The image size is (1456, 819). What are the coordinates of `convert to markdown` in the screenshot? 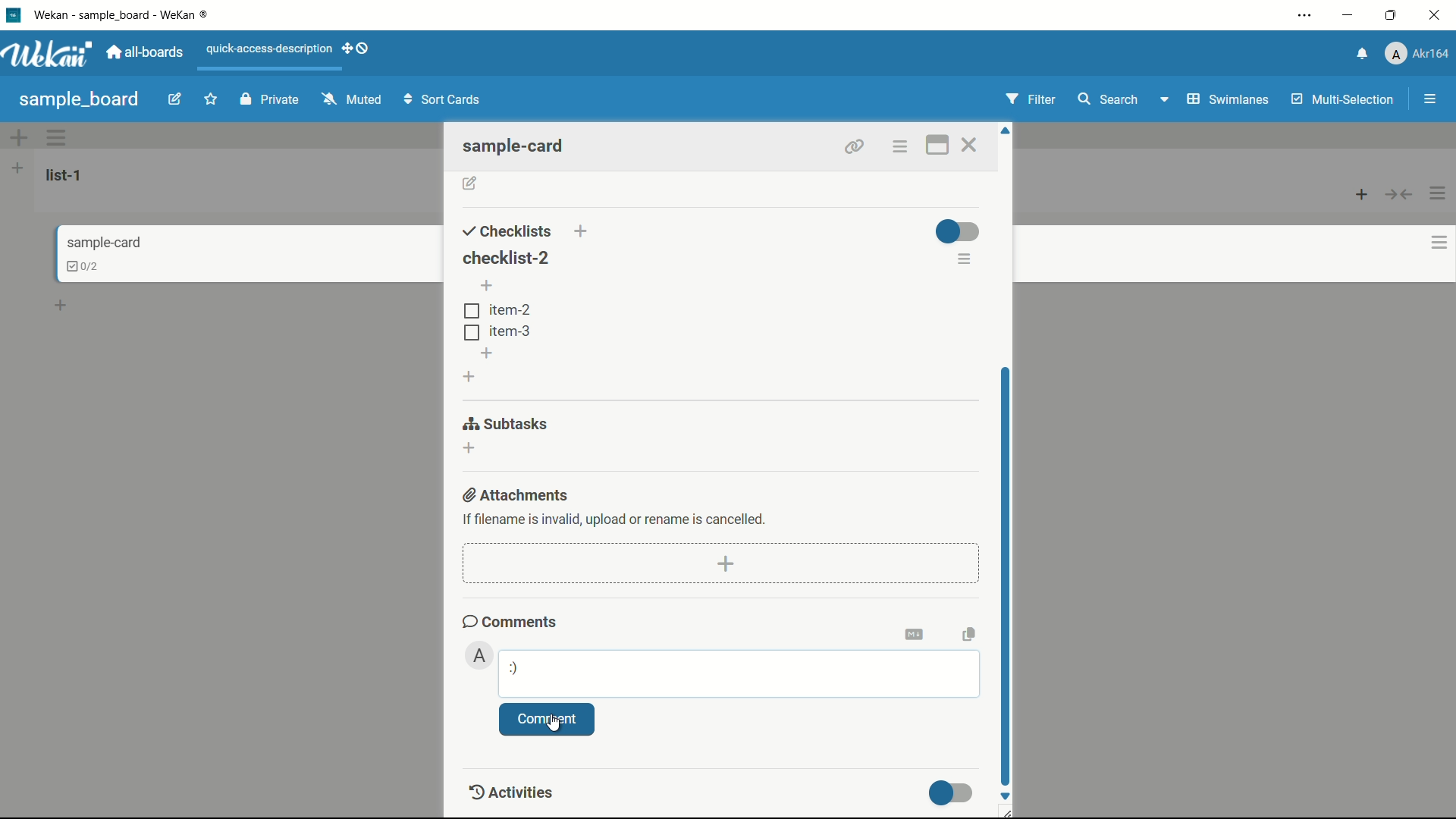 It's located at (917, 632).